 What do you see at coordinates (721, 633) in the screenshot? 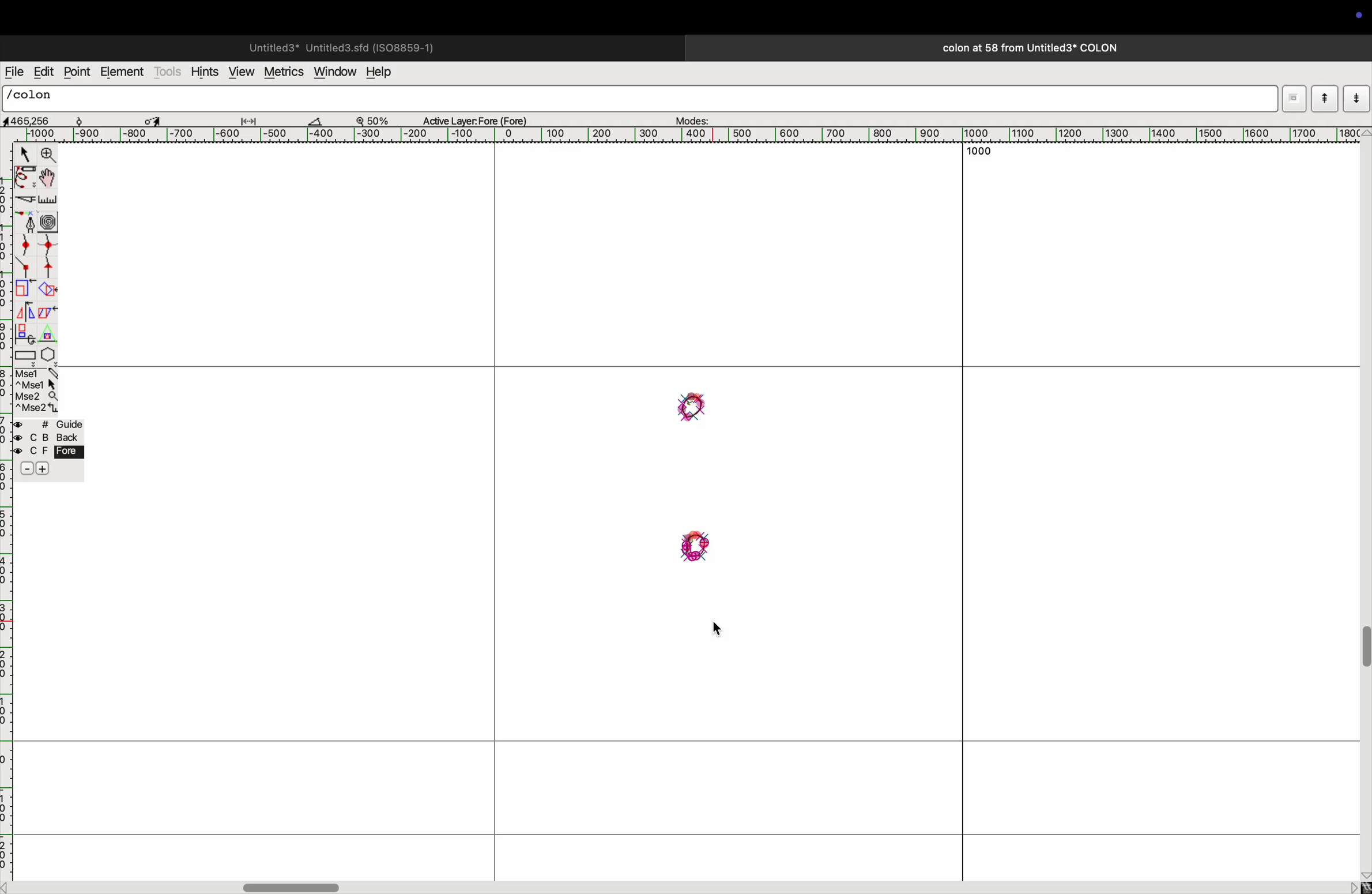
I see `cursor` at bounding box center [721, 633].